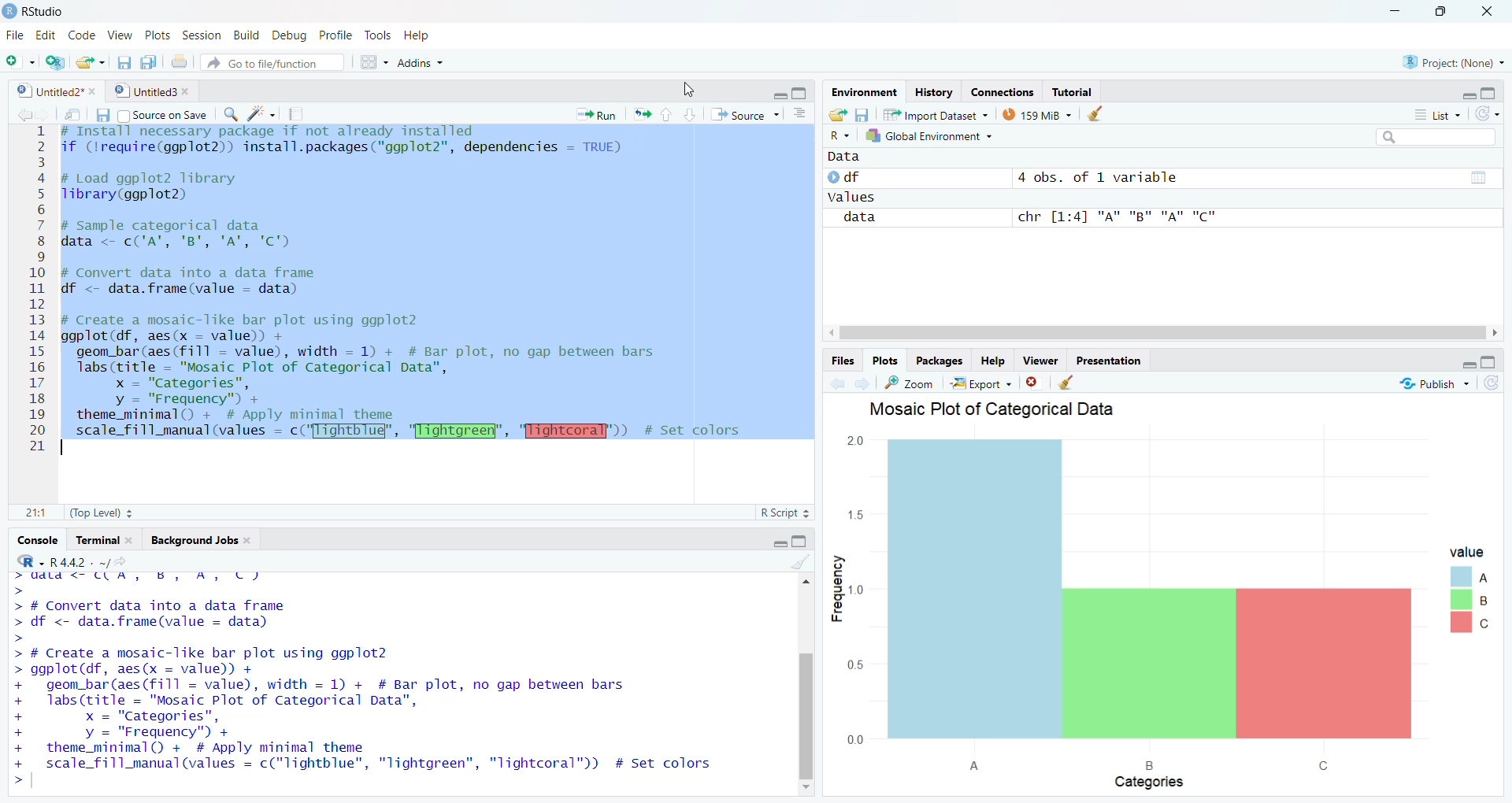  Describe the element at coordinates (1488, 13) in the screenshot. I see `Close` at that location.